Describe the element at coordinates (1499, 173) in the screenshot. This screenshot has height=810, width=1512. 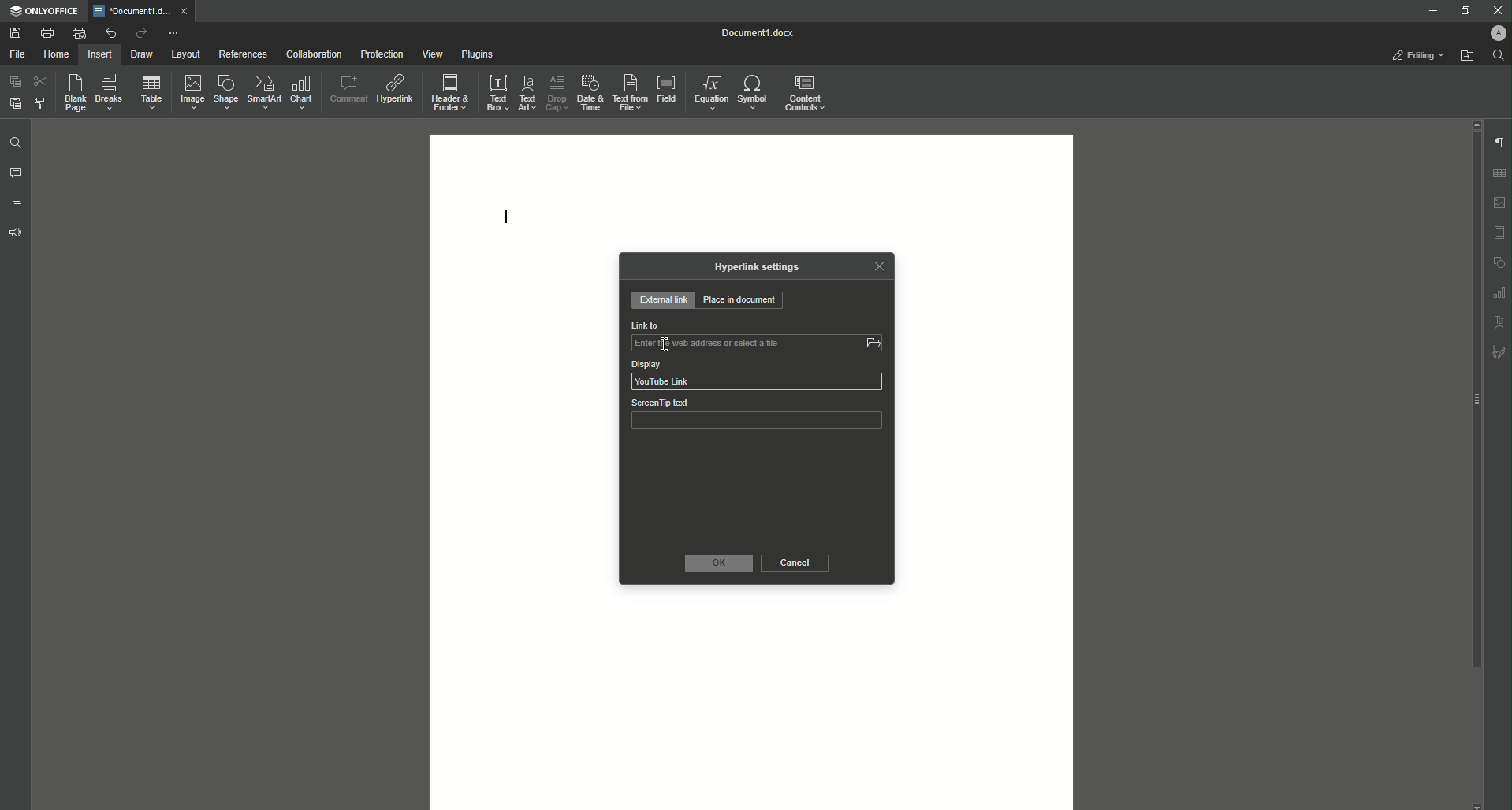
I see `Table settings` at that location.